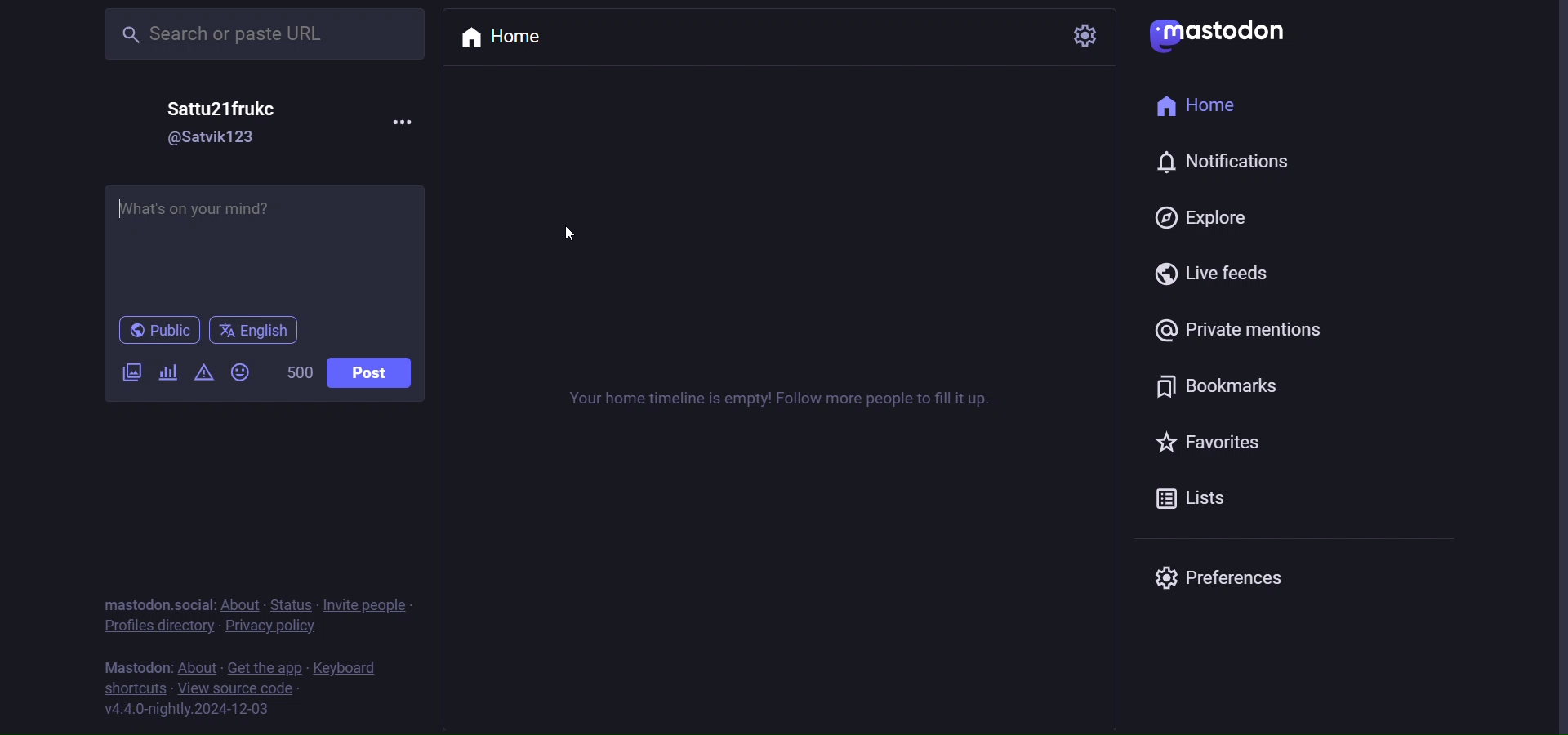 The height and width of the screenshot is (735, 1568). I want to click on home, so click(1210, 104).